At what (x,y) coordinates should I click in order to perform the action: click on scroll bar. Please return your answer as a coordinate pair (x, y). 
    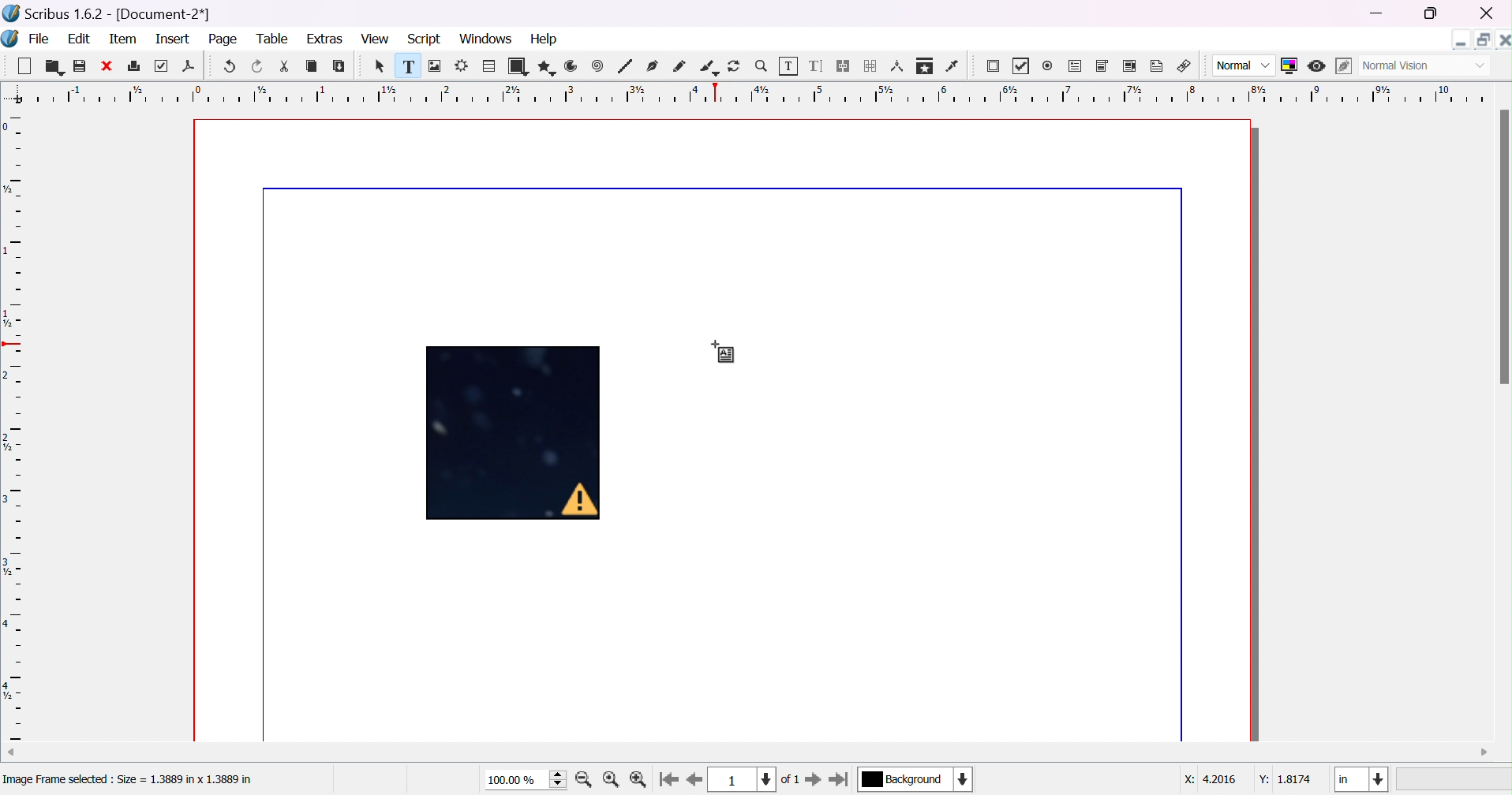
    Looking at the image, I should click on (1503, 247).